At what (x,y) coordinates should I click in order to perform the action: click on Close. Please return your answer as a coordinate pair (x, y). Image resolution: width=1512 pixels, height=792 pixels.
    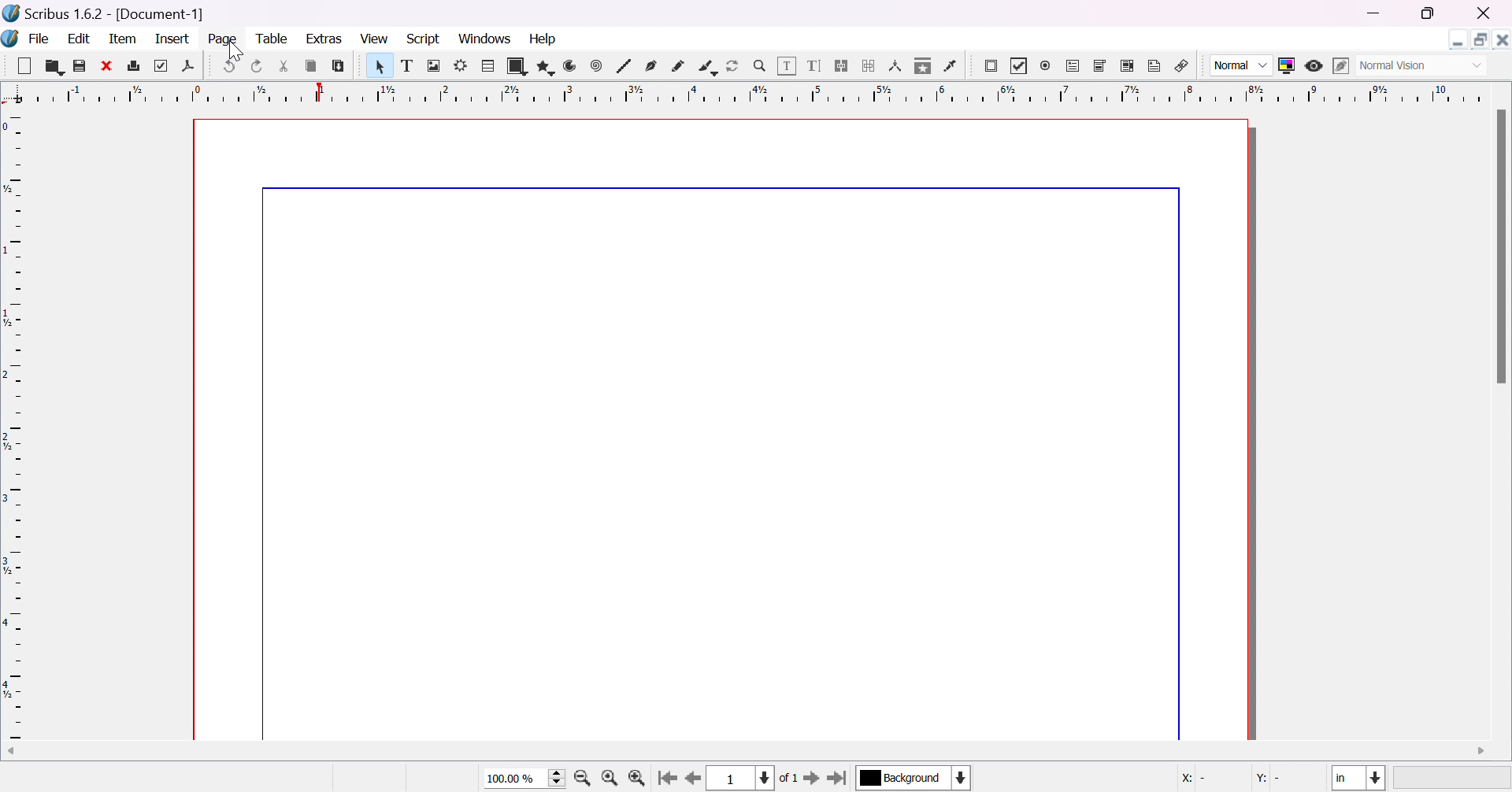
    Looking at the image, I should click on (1503, 39).